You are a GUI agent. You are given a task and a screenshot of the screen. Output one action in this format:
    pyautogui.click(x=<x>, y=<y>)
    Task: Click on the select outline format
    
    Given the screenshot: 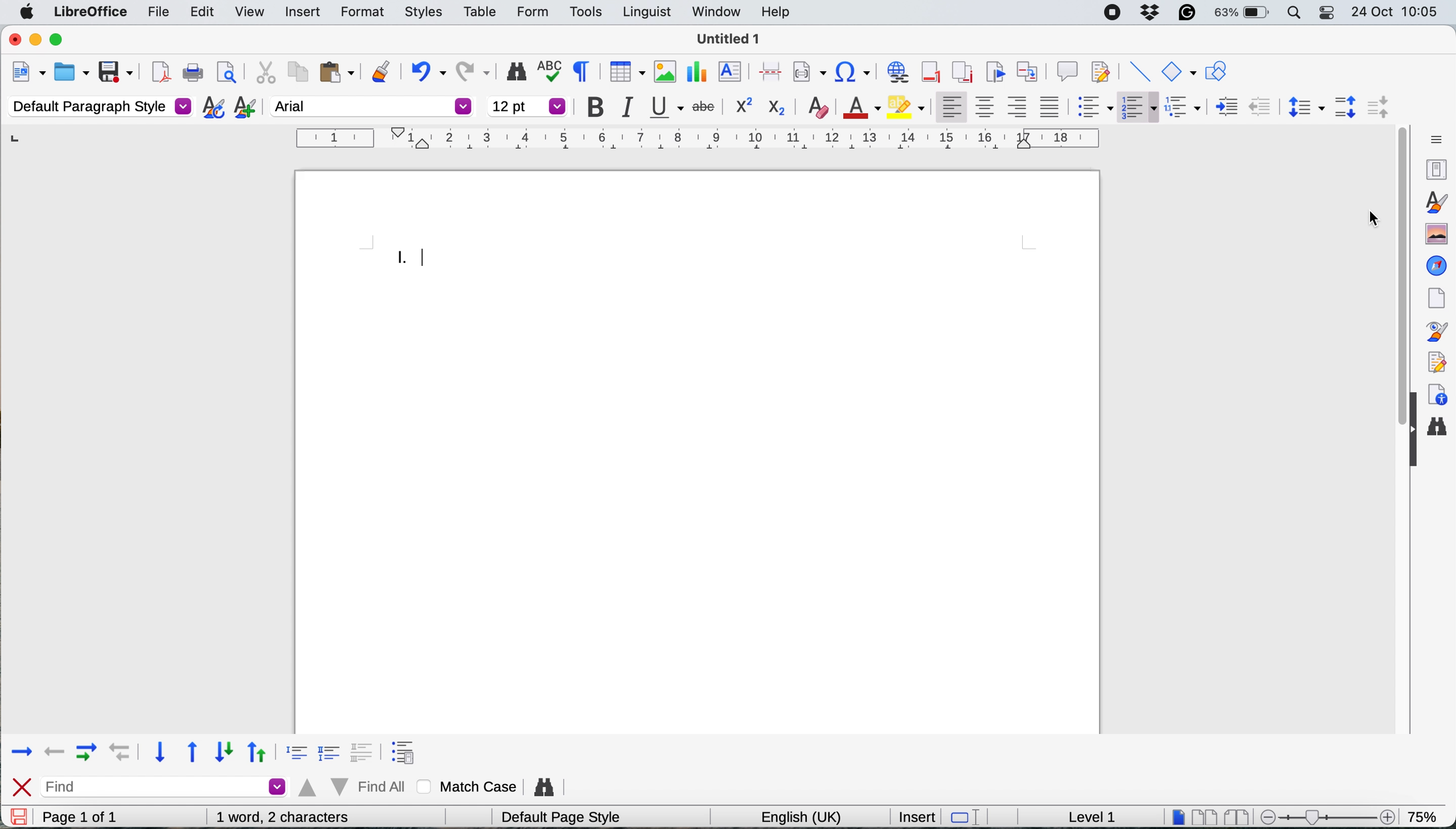 What is the action you would take?
    pyautogui.click(x=1187, y=106)
    